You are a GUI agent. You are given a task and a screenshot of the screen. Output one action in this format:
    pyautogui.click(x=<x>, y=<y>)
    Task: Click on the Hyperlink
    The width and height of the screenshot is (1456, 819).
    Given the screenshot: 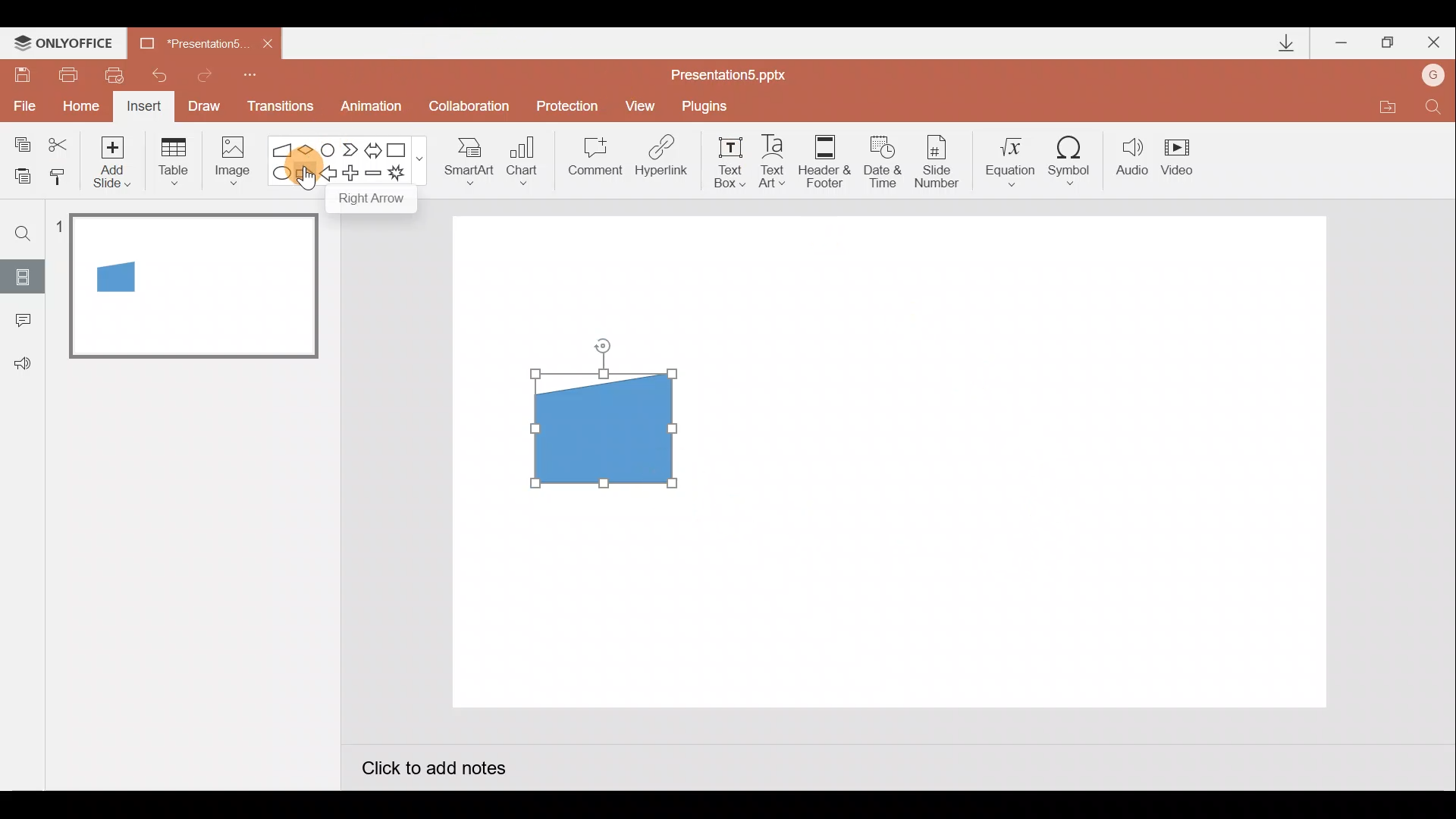 What is the action you would take?
    pyautogui.click(x=663, y=161)
    